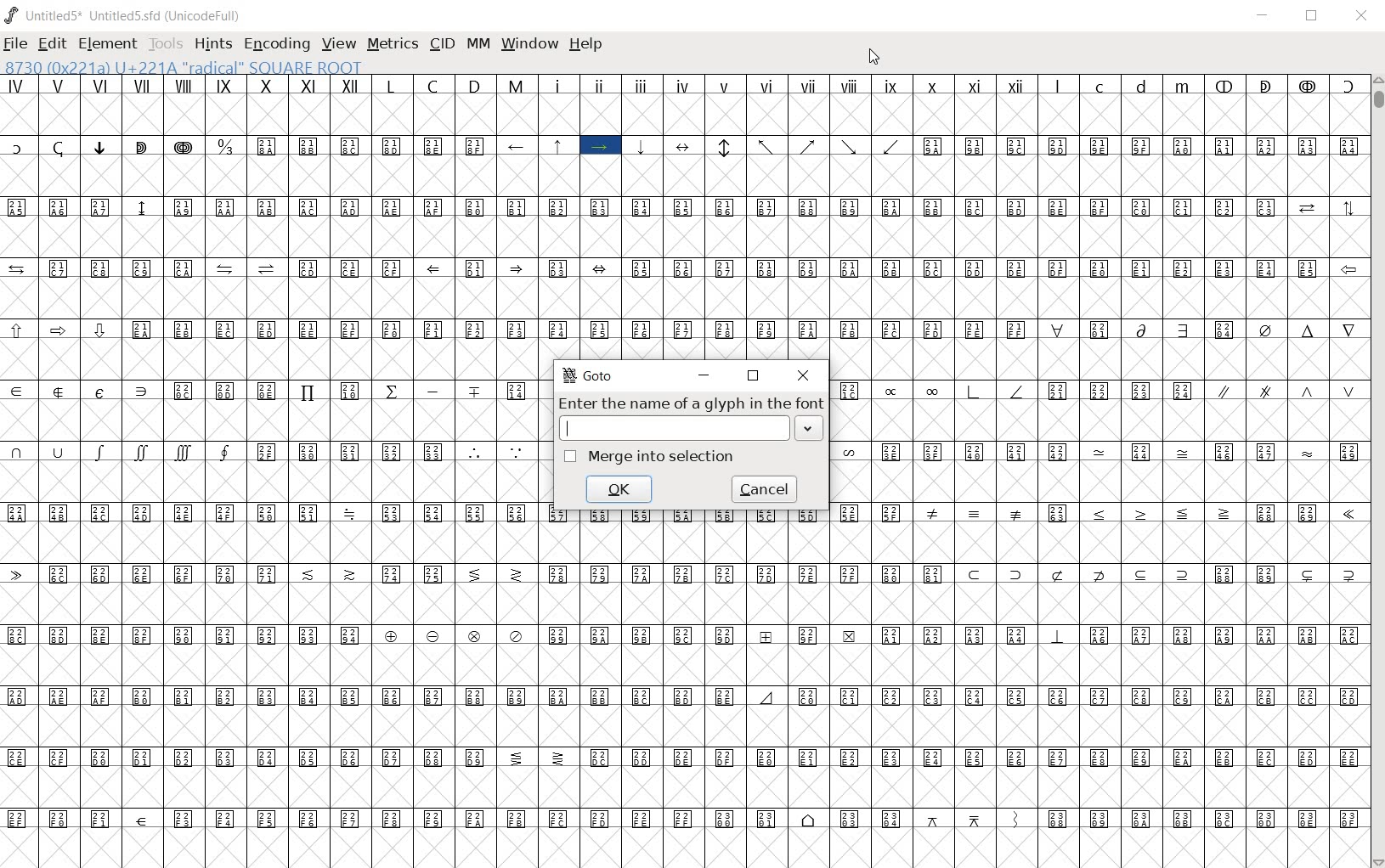  Describe the element at coordinates (690, 404) in the screenshot. I see `Enter the name of a glyph in the font` at that location.